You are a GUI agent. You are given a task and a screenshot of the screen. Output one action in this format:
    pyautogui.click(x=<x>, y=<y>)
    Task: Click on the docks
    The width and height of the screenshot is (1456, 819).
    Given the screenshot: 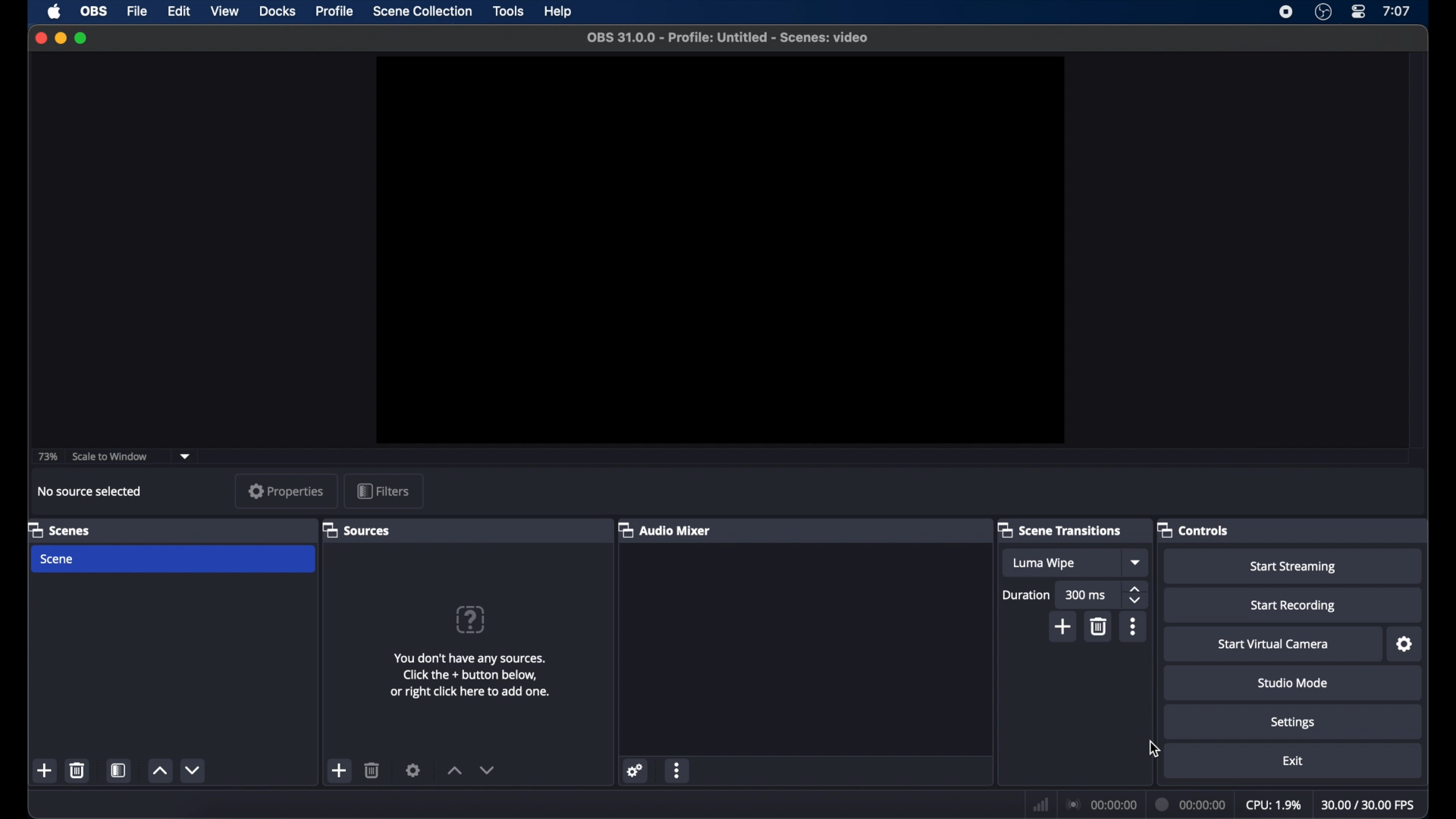 What is the action you would take?
    pyautogui.click(x=278, y=11)
    